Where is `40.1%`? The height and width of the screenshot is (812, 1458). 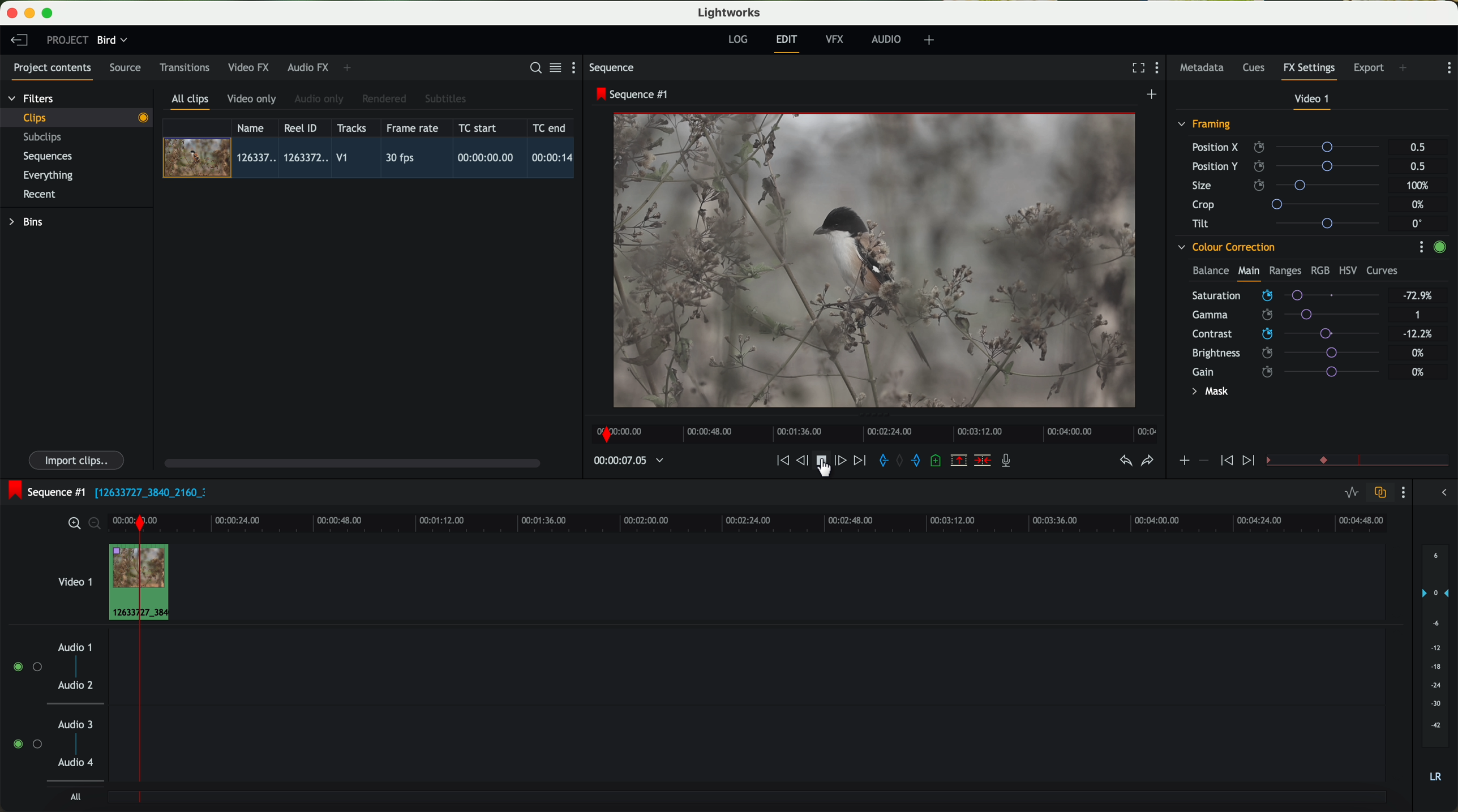 40.1% is located at coordinates (1421, 334).